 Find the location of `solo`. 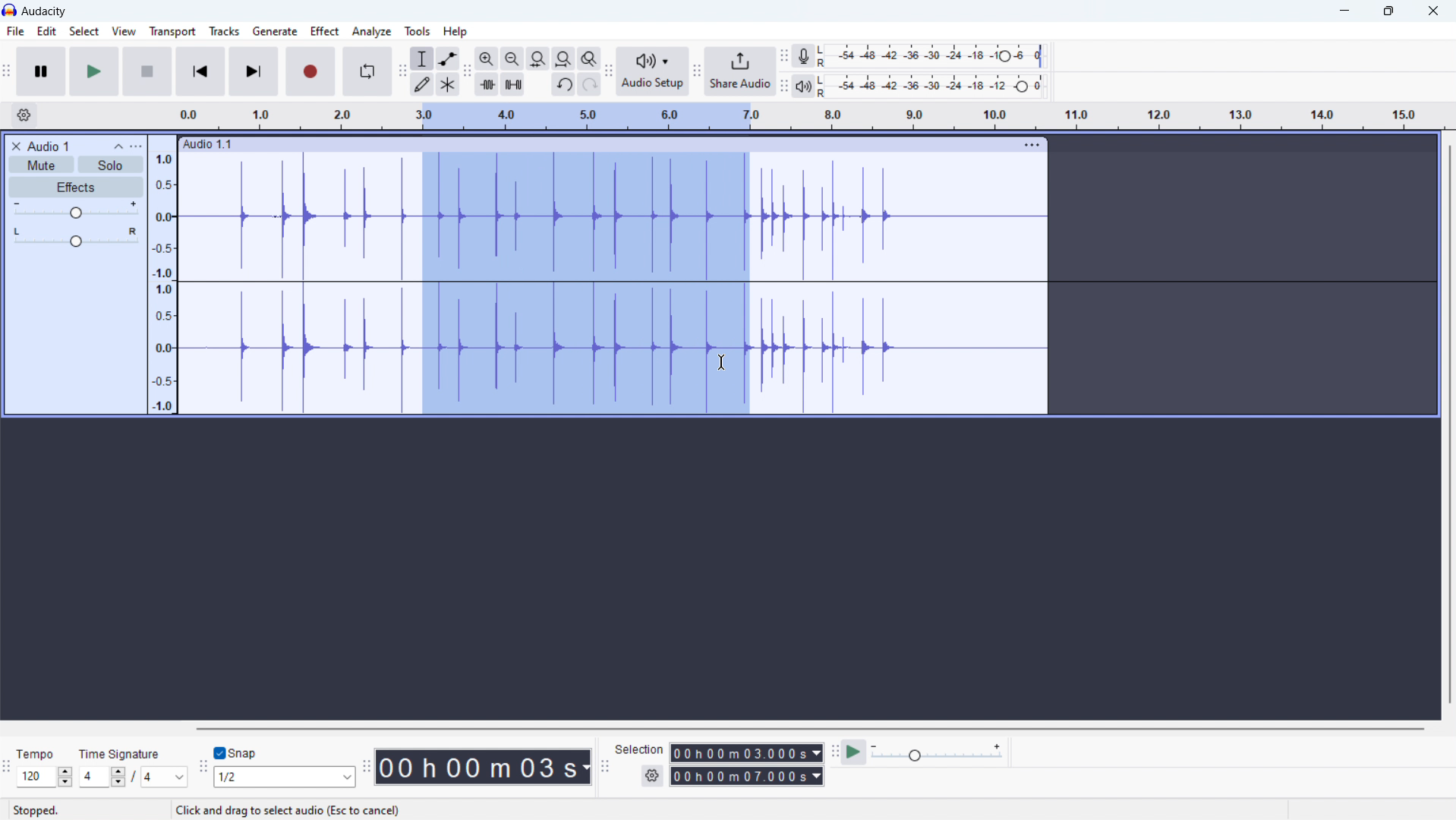

solo is located at coordinates (112, 164).